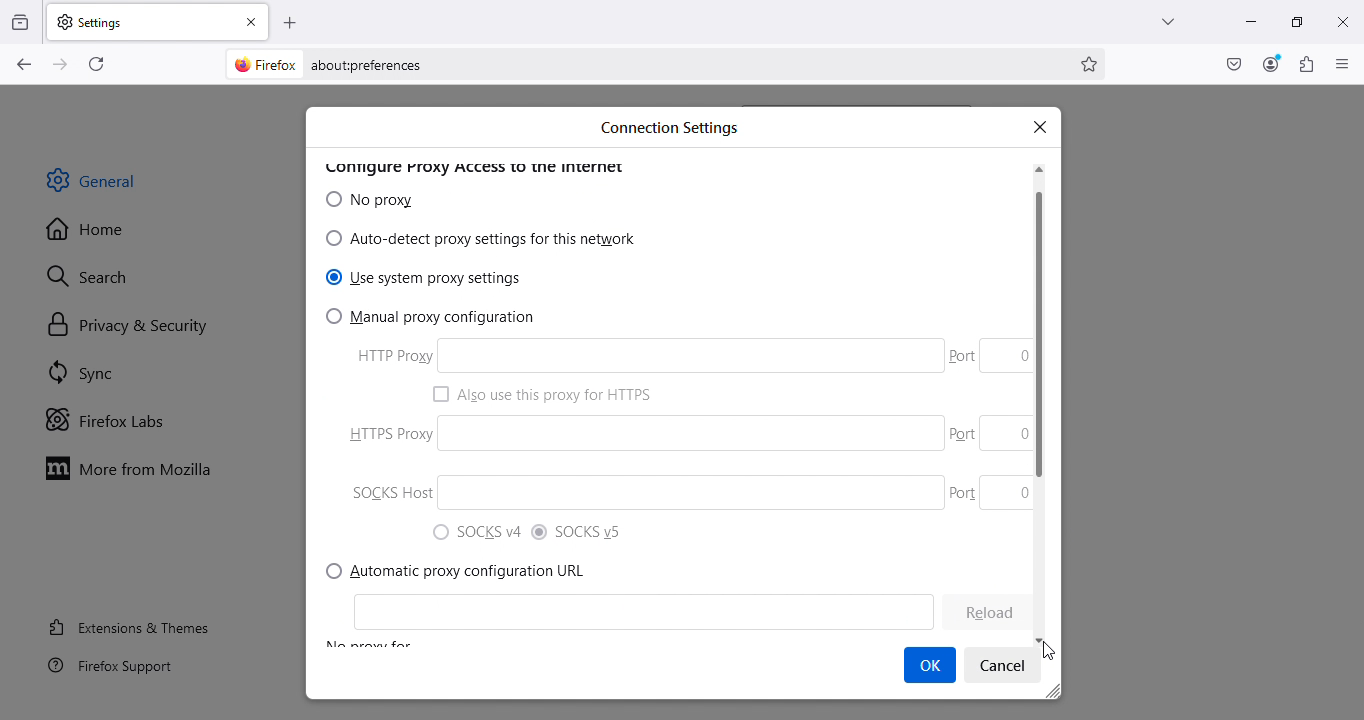 The image size is (1364, 720). What do you see at coordinates (625, 493) in the screenshot?
I see `SOCKS Host` at bounding box center [625, 493].